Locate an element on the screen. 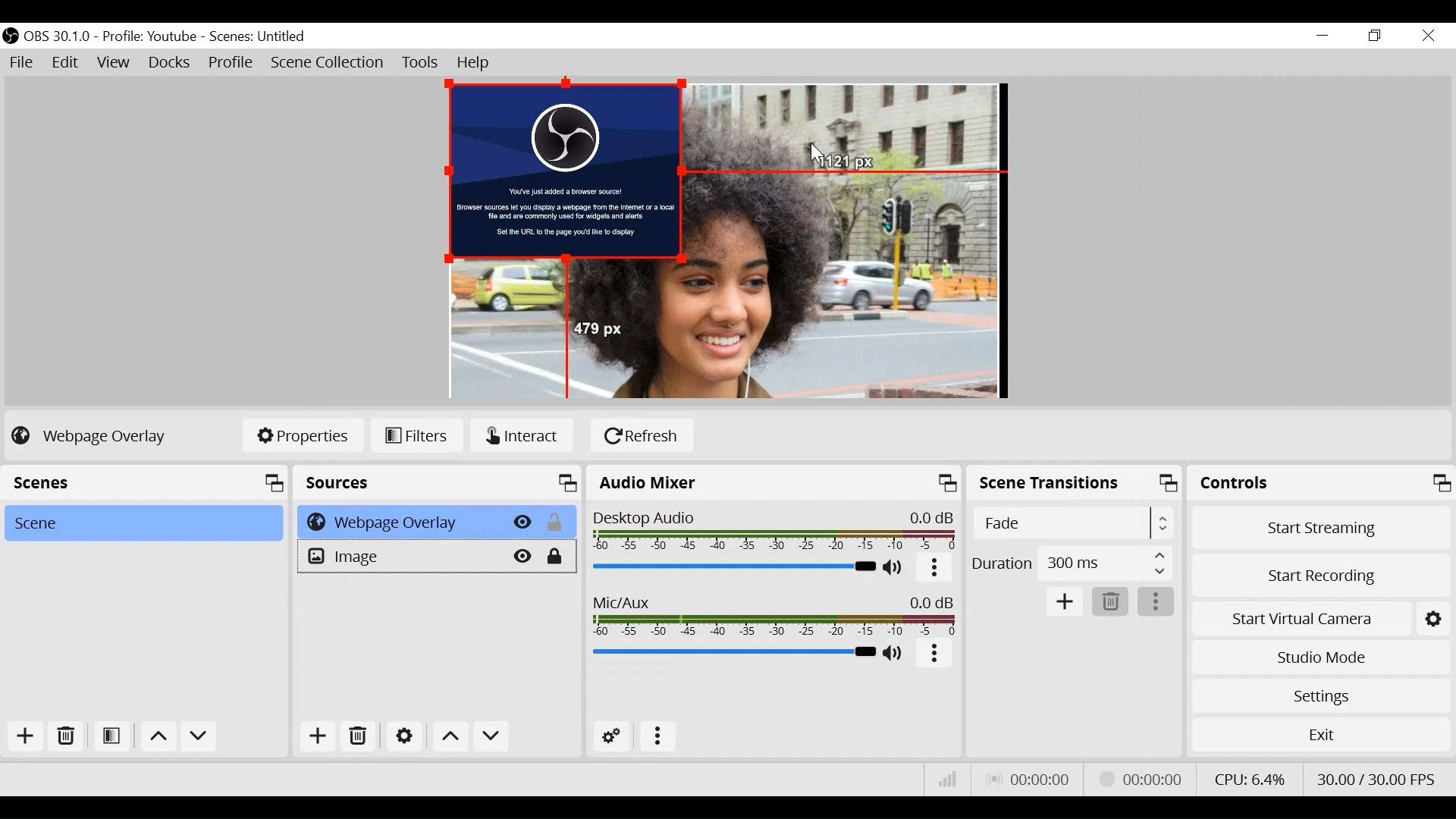 This screenshot has height=819, width=1456. Audio Mixer is located at coordinates (772, 482).